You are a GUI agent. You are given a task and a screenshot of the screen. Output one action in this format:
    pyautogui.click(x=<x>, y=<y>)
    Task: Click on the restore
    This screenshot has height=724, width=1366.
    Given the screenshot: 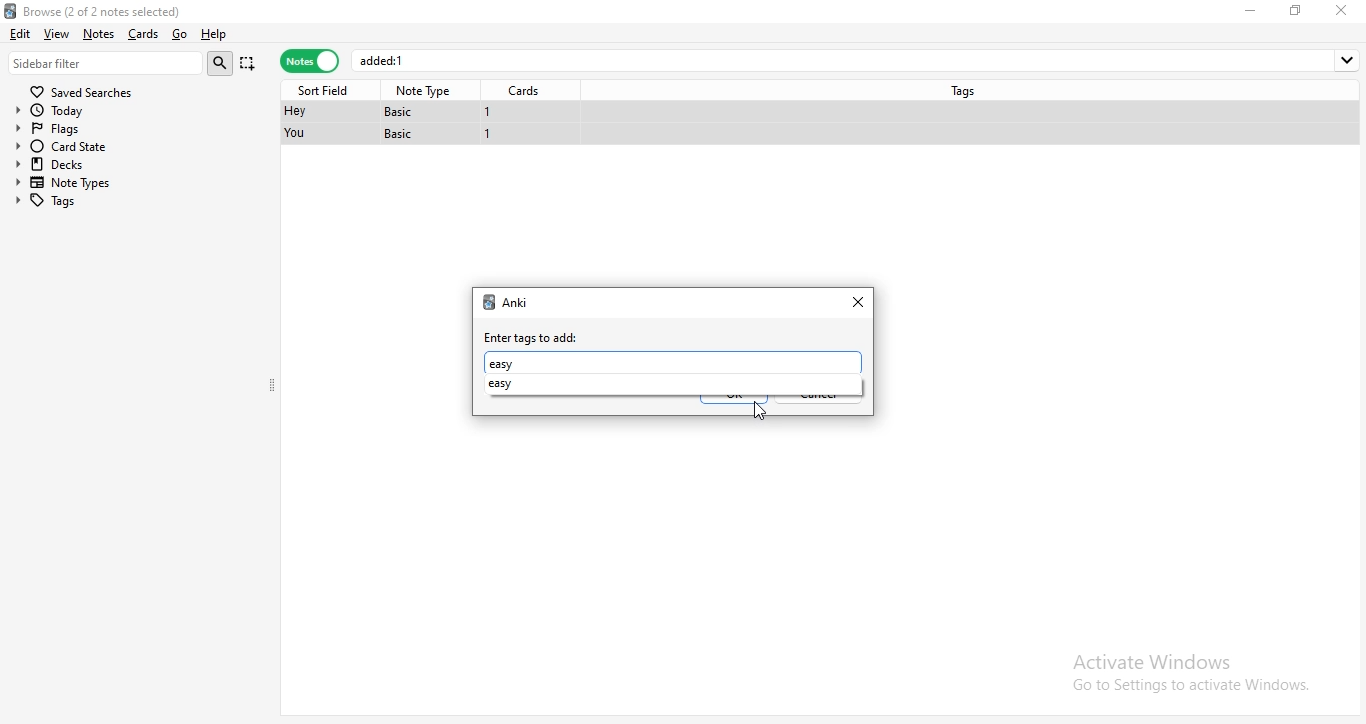 What is the action you would take?
    pyautogui.click(x=1296, y=10)
    